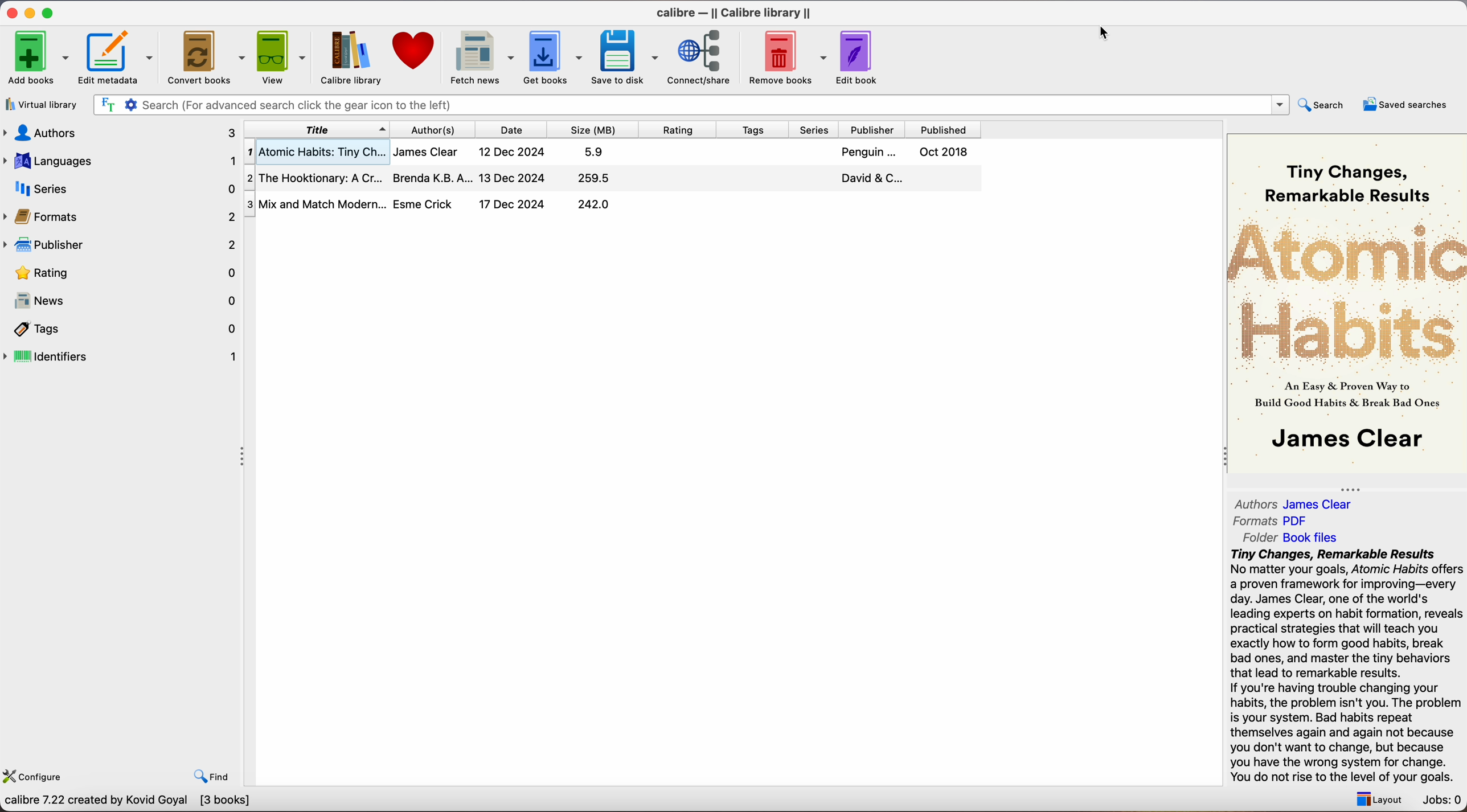 The height and width of the screenshot is (812, 1467). I want to click on rating, so click(678, 129).